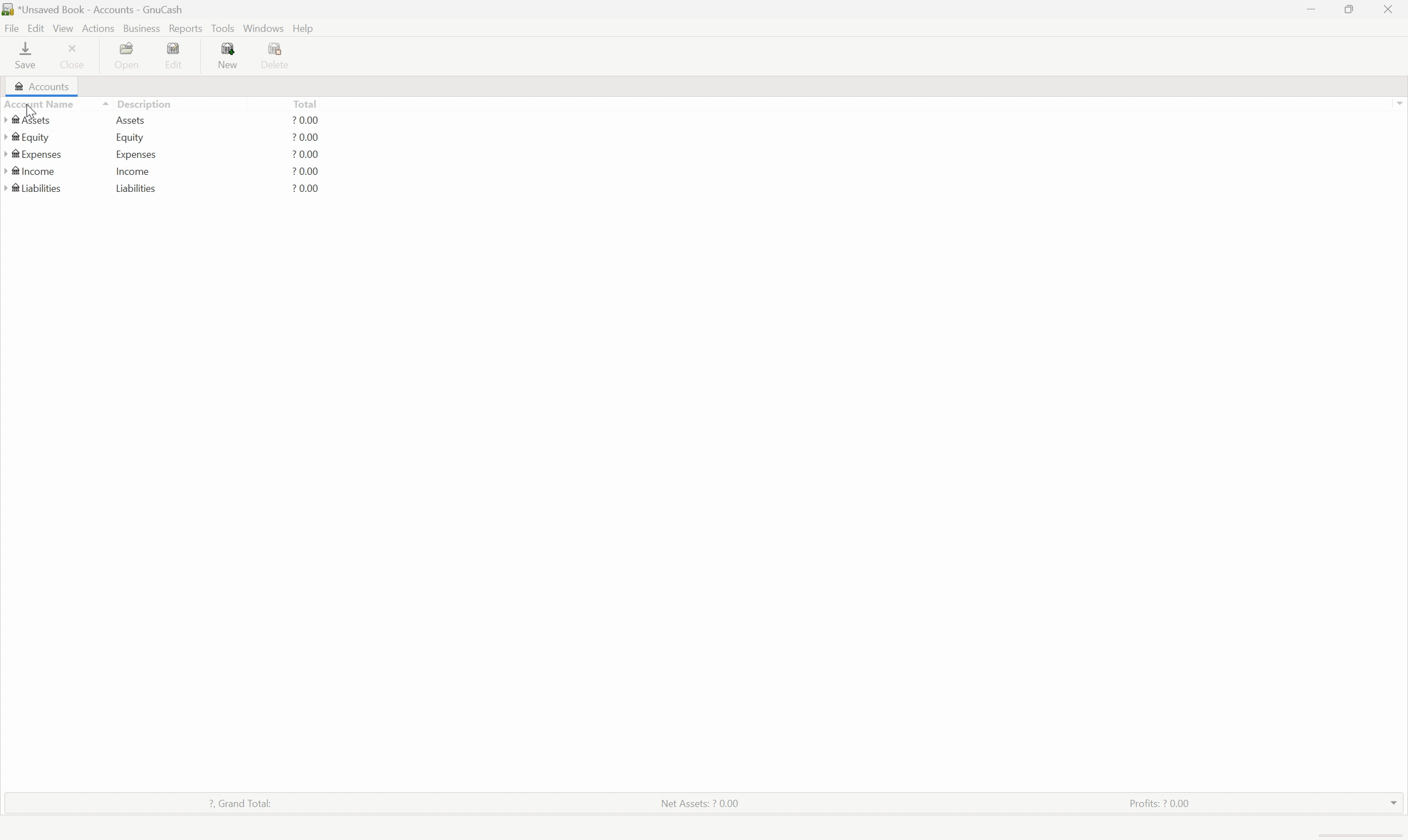 This screenshot has height=840, width=1408. Describe the element at coordinates (306, 119) in the screenshot. I see `? 0.00` at that location.